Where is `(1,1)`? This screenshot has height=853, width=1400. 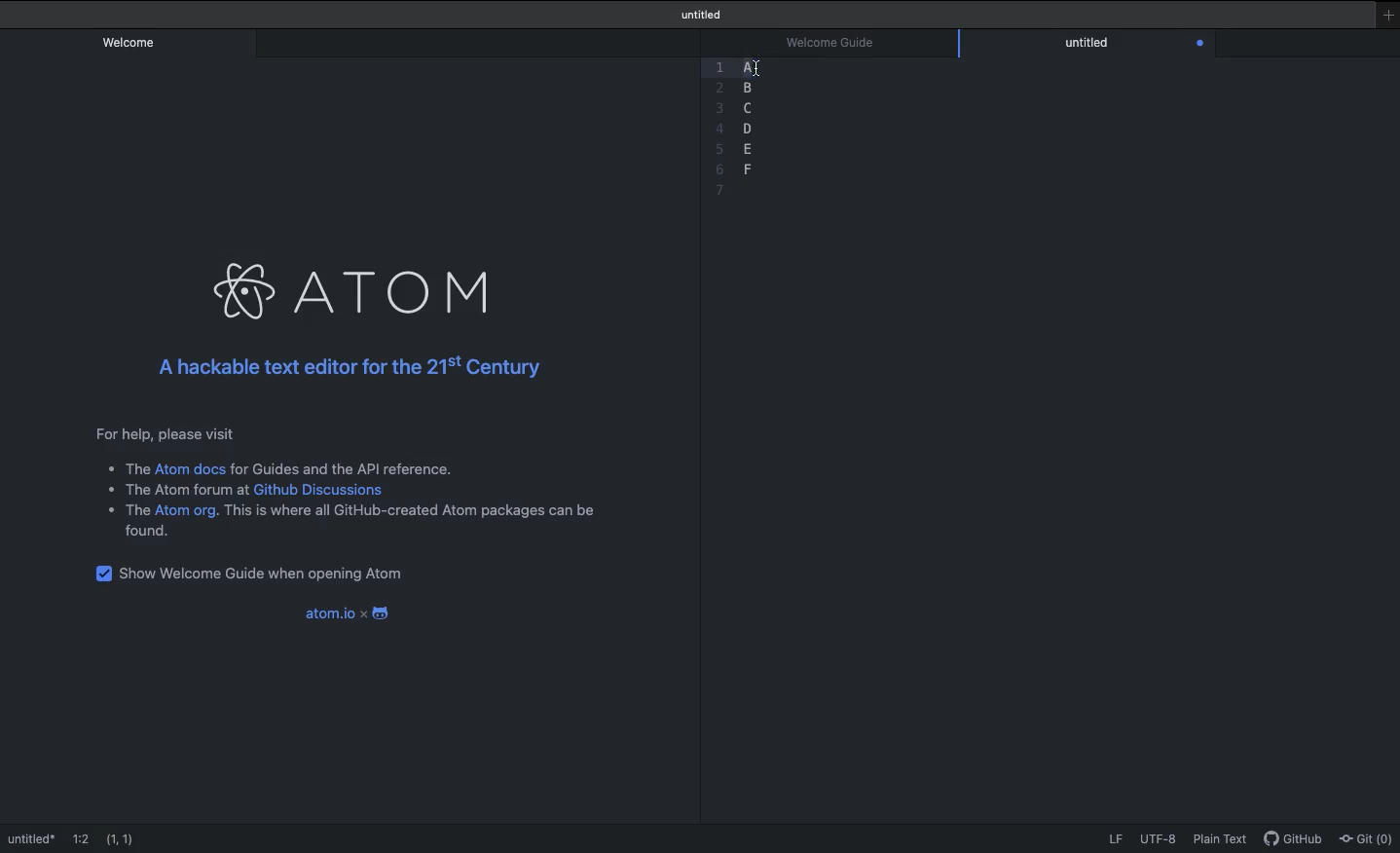 (1,1) is located at coordinates (122, 837).